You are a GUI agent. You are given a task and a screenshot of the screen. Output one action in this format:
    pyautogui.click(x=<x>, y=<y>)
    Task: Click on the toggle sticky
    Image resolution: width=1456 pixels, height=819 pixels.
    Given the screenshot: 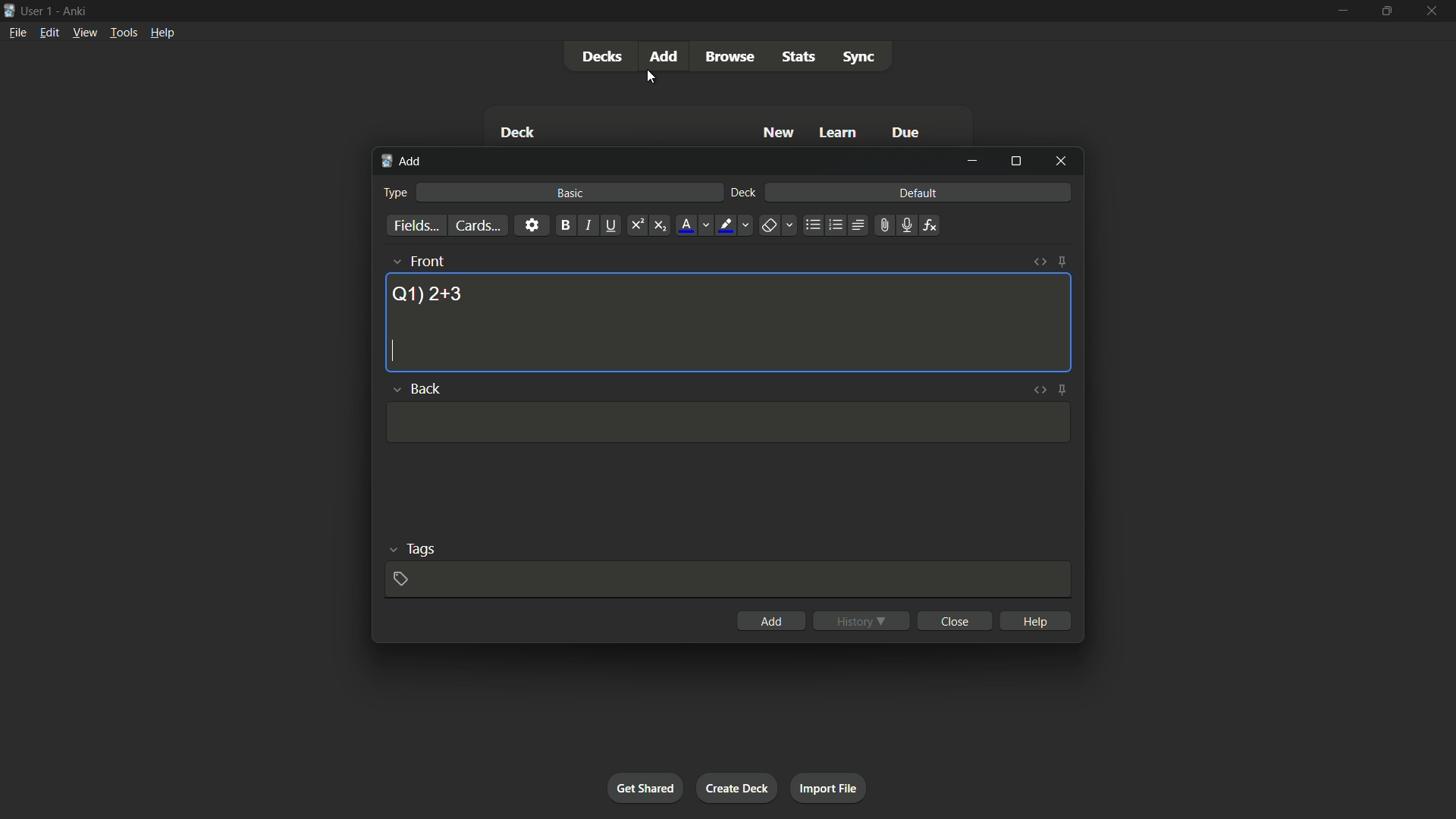 What is the action you would take?
    pyautogui.click(x=1063, y=389)
    